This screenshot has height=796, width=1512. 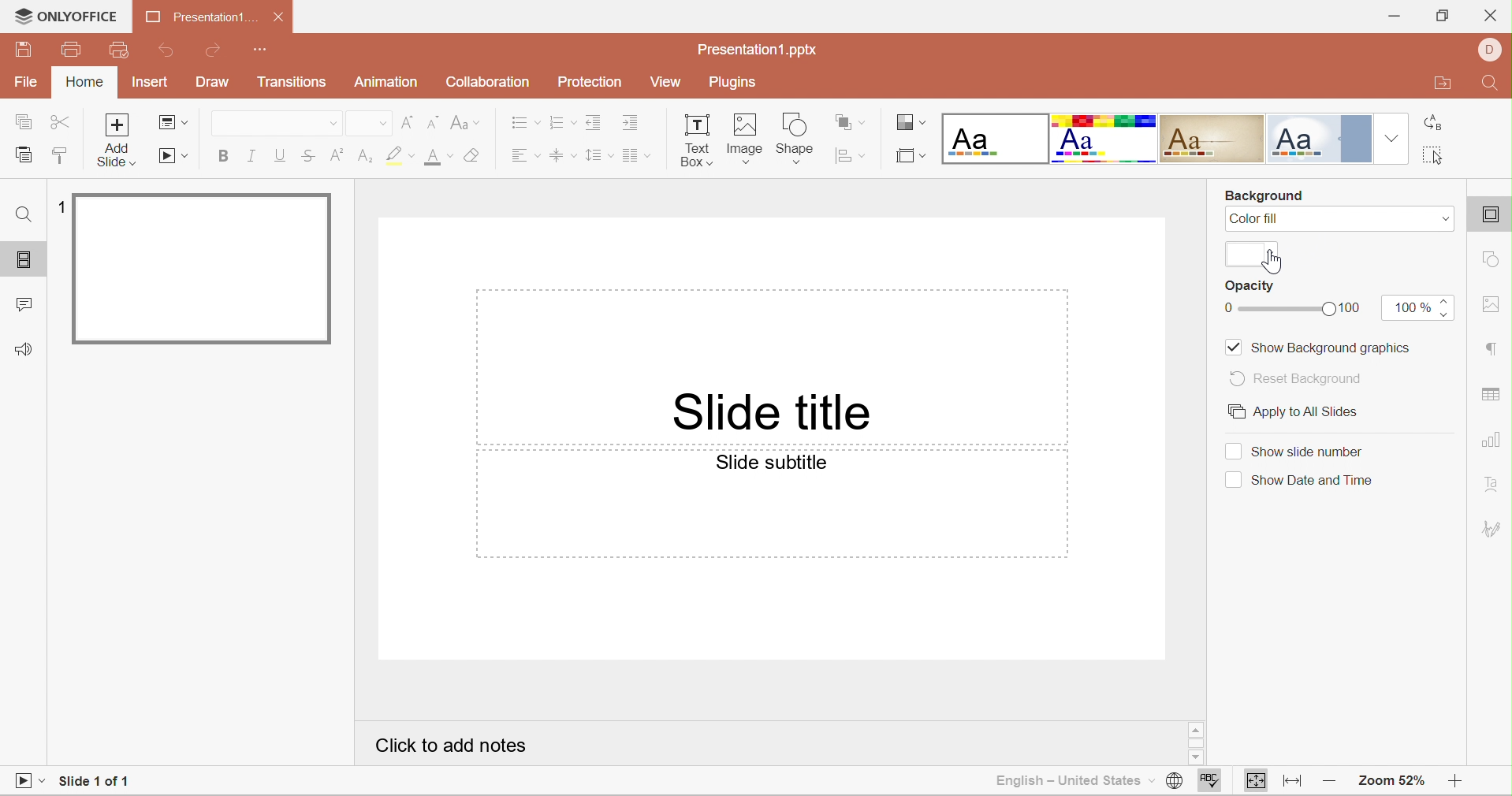 What do you see at coordinates (1409, 308) in the screenshot?
I see `100%` at bounding box center [1409, 308].